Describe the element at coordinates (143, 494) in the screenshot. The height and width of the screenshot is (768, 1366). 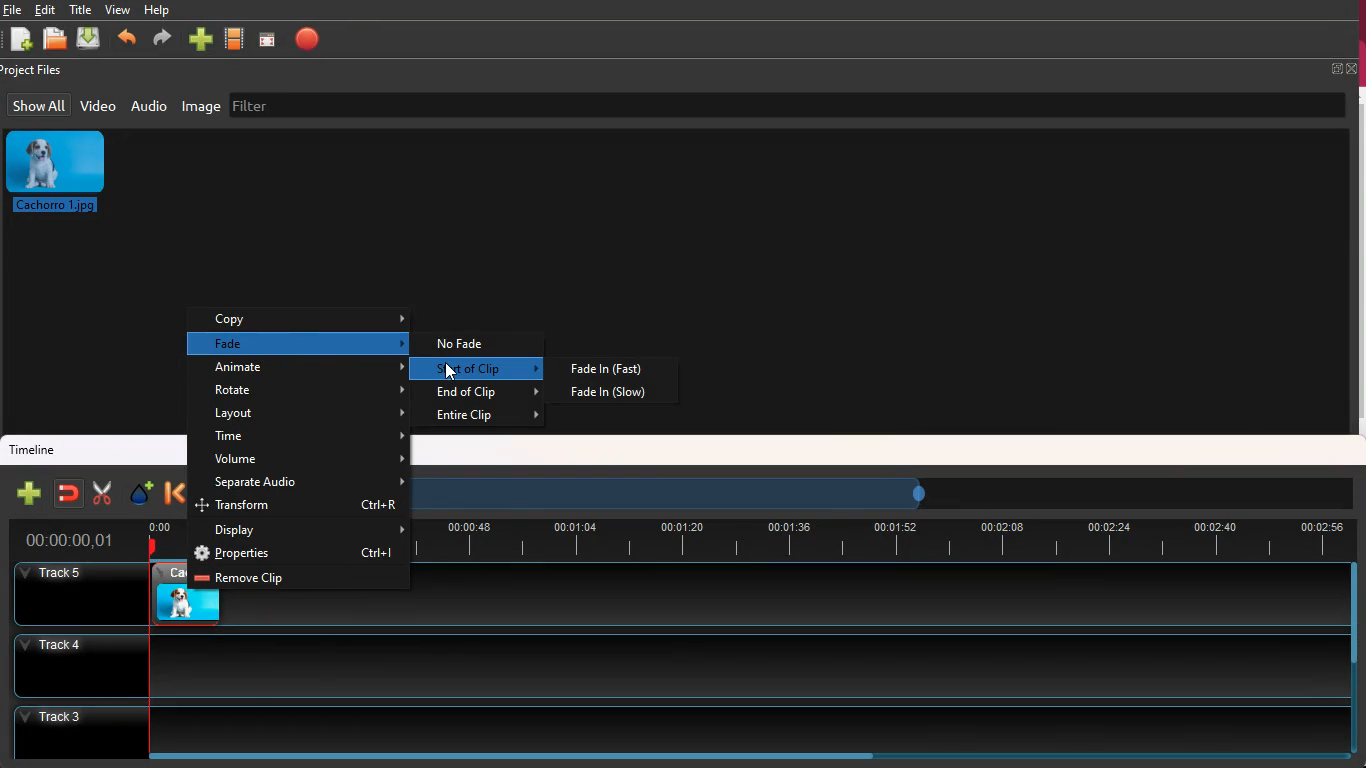
I see `effect` at that location.